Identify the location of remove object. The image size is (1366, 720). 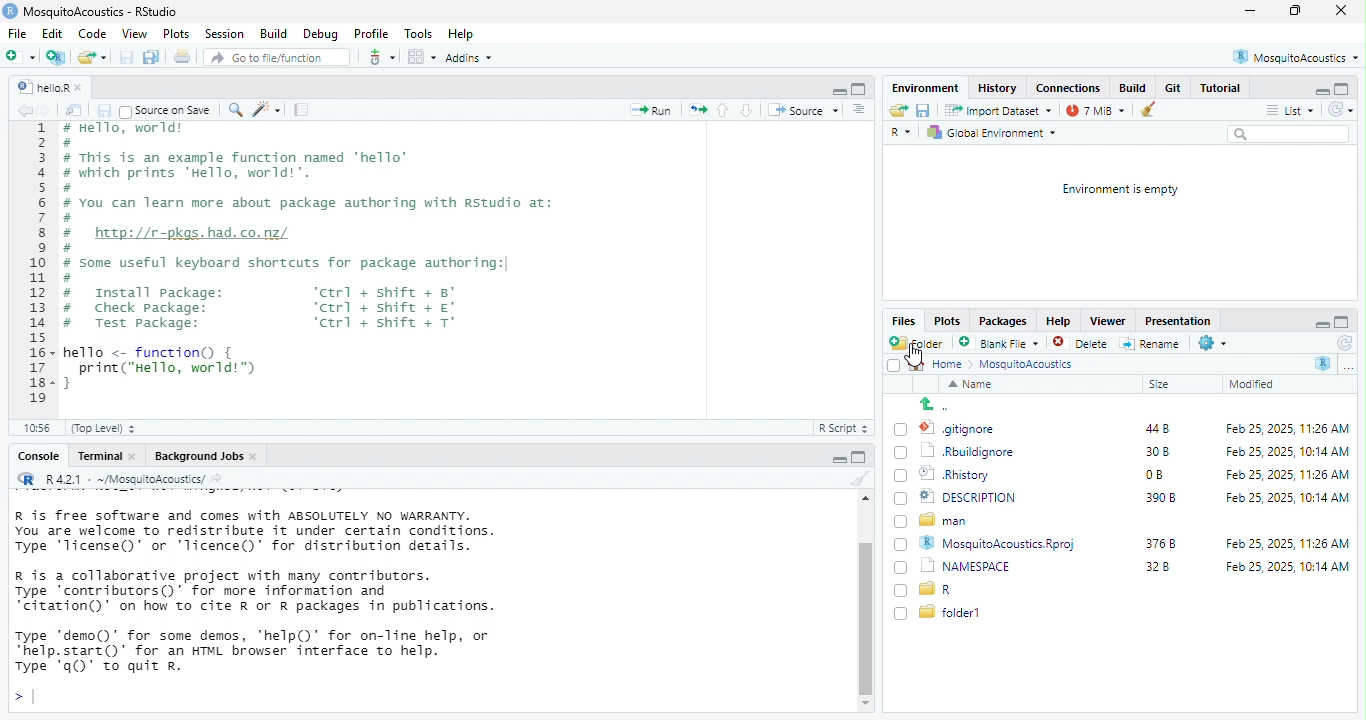
(1156, 110).